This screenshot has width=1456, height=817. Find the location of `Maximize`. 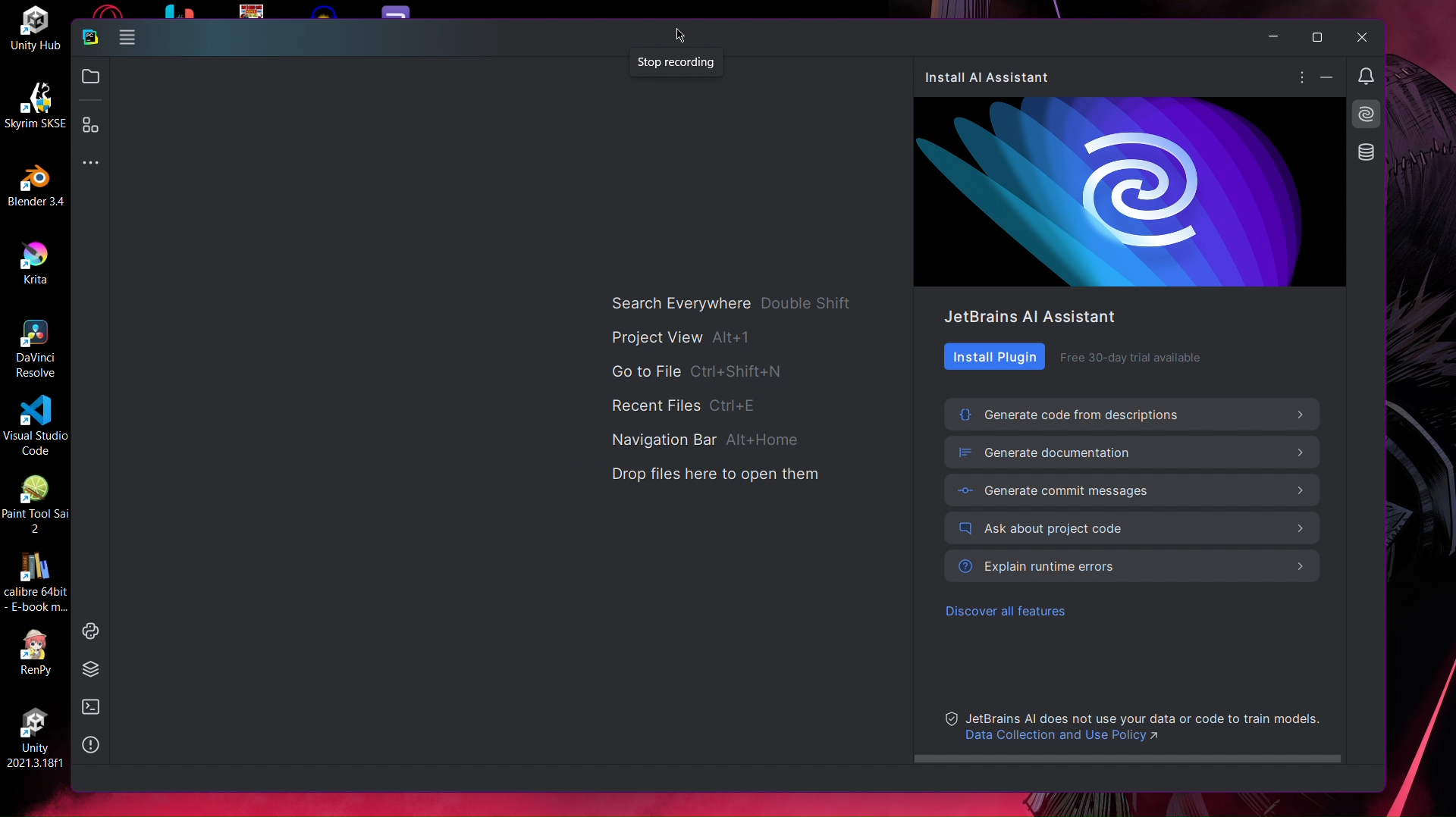

Maximize is located at coordinates (1315, 37).